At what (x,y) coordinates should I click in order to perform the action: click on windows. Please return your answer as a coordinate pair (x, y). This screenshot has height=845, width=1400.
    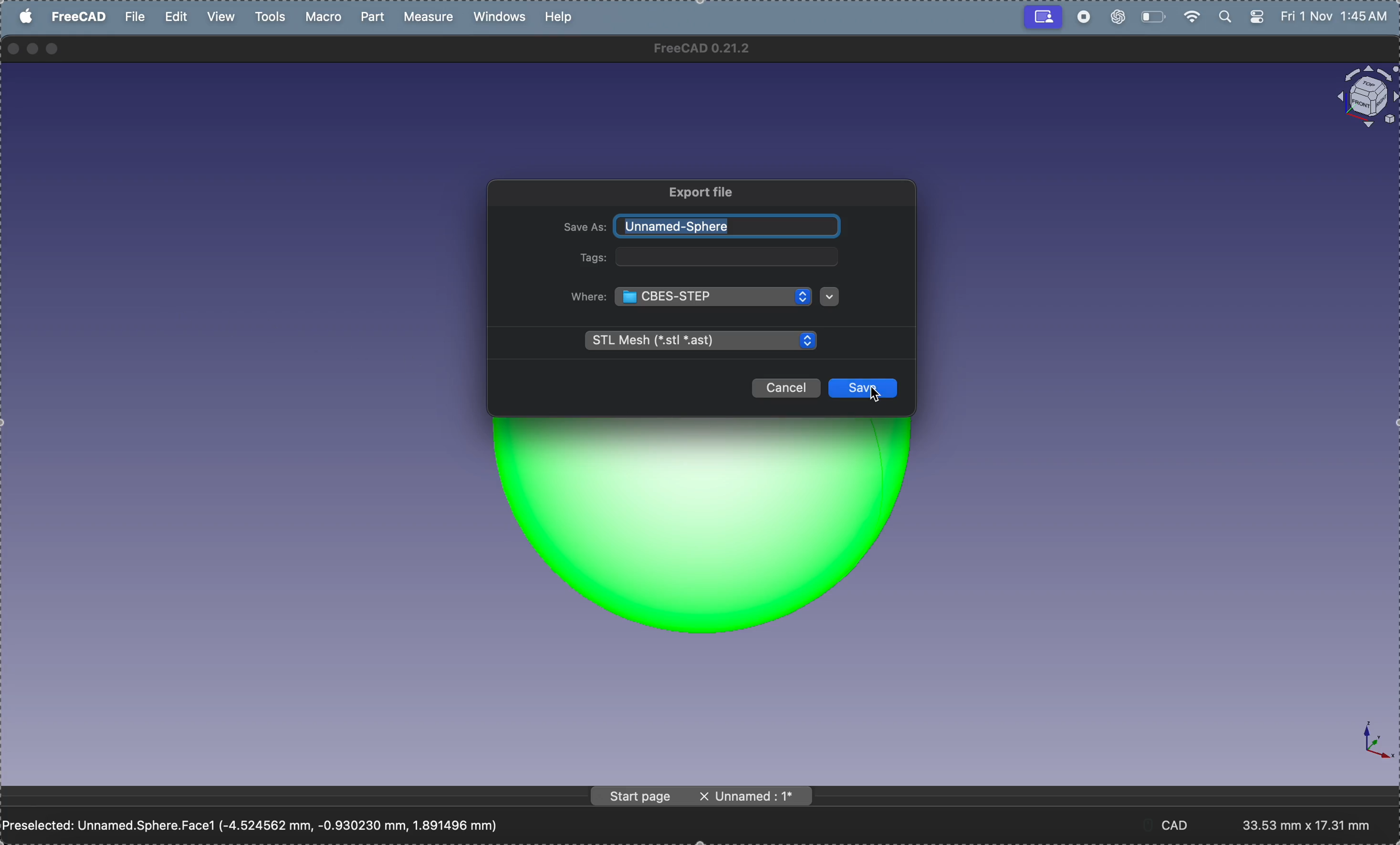
    Looking at the image, I should click on (502, 18).